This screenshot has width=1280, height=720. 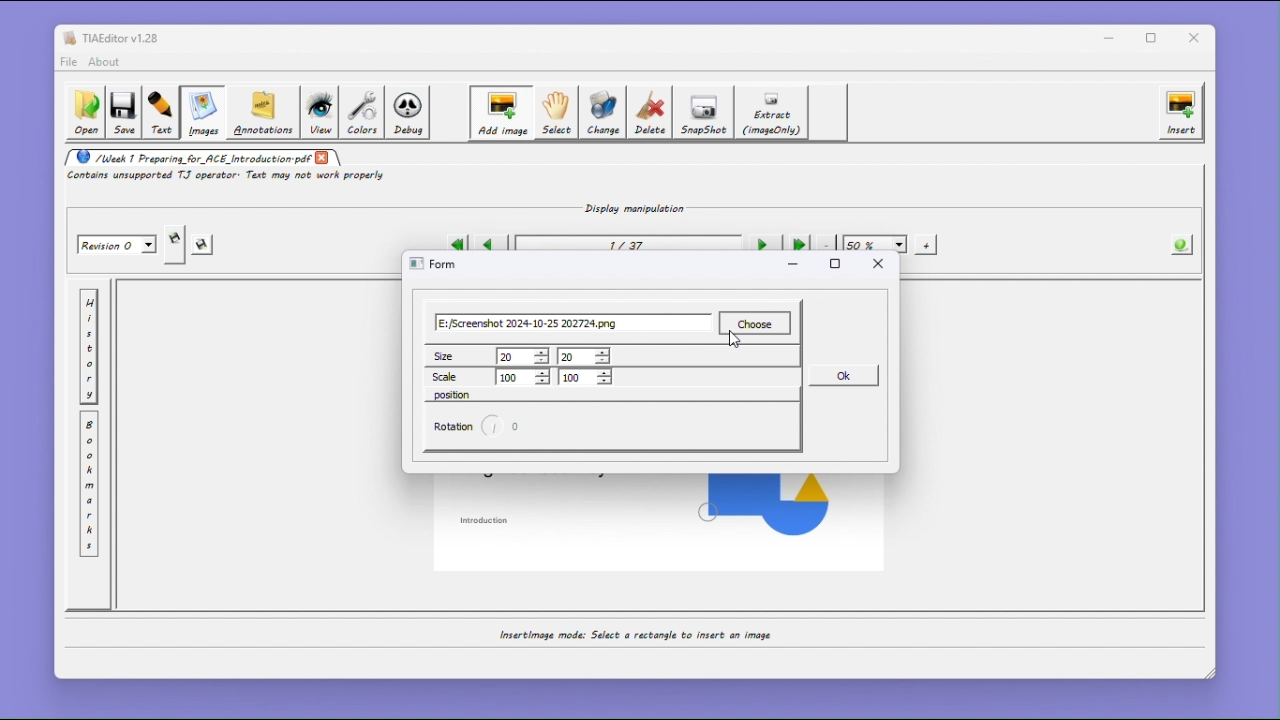 What do you see at coordinates (486, 520) in the screenshot?
I see `introduction` at bounding box center [486, 520].